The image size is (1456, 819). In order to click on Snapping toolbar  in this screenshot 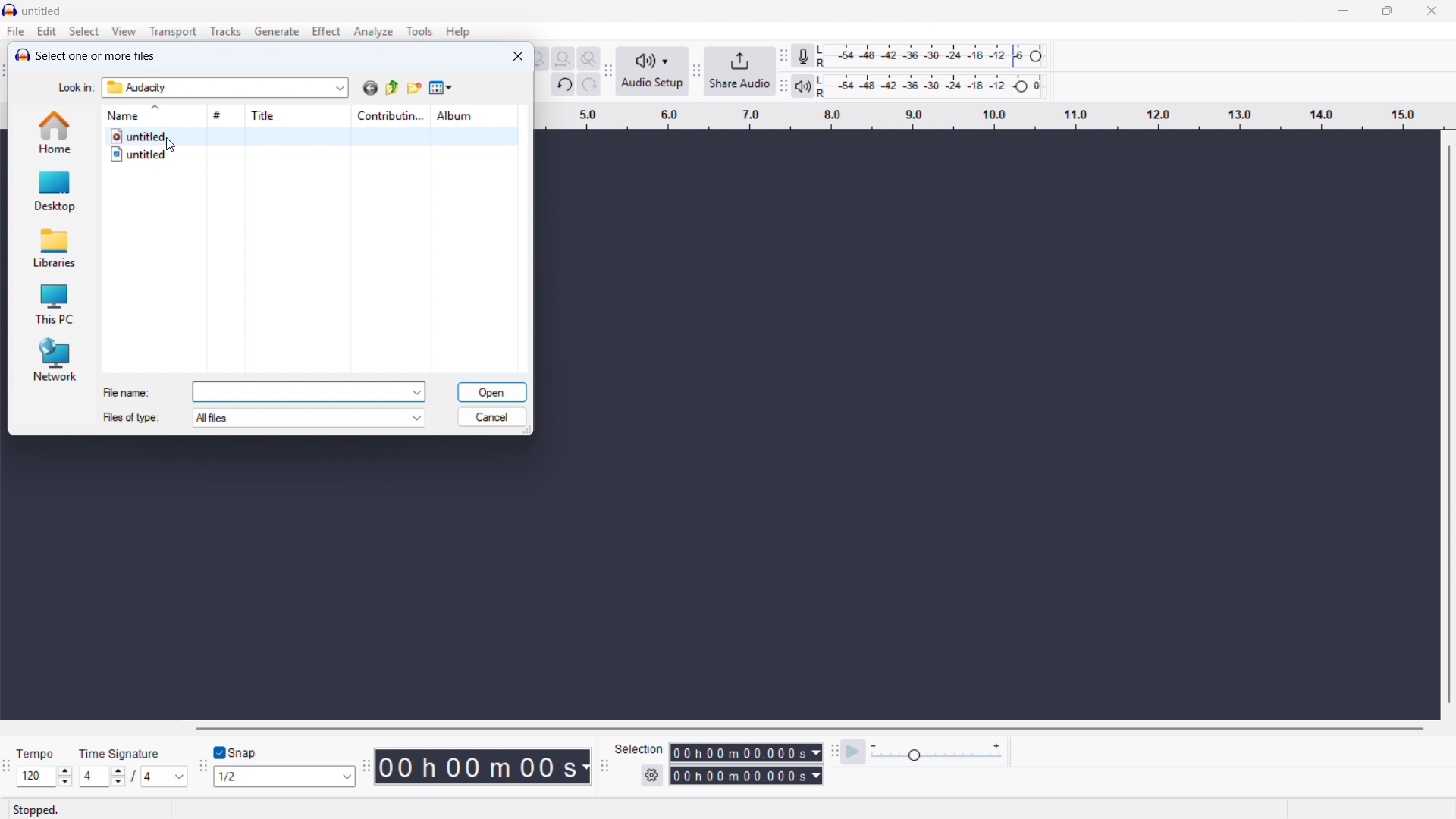, I will do `click(202, 767)`.